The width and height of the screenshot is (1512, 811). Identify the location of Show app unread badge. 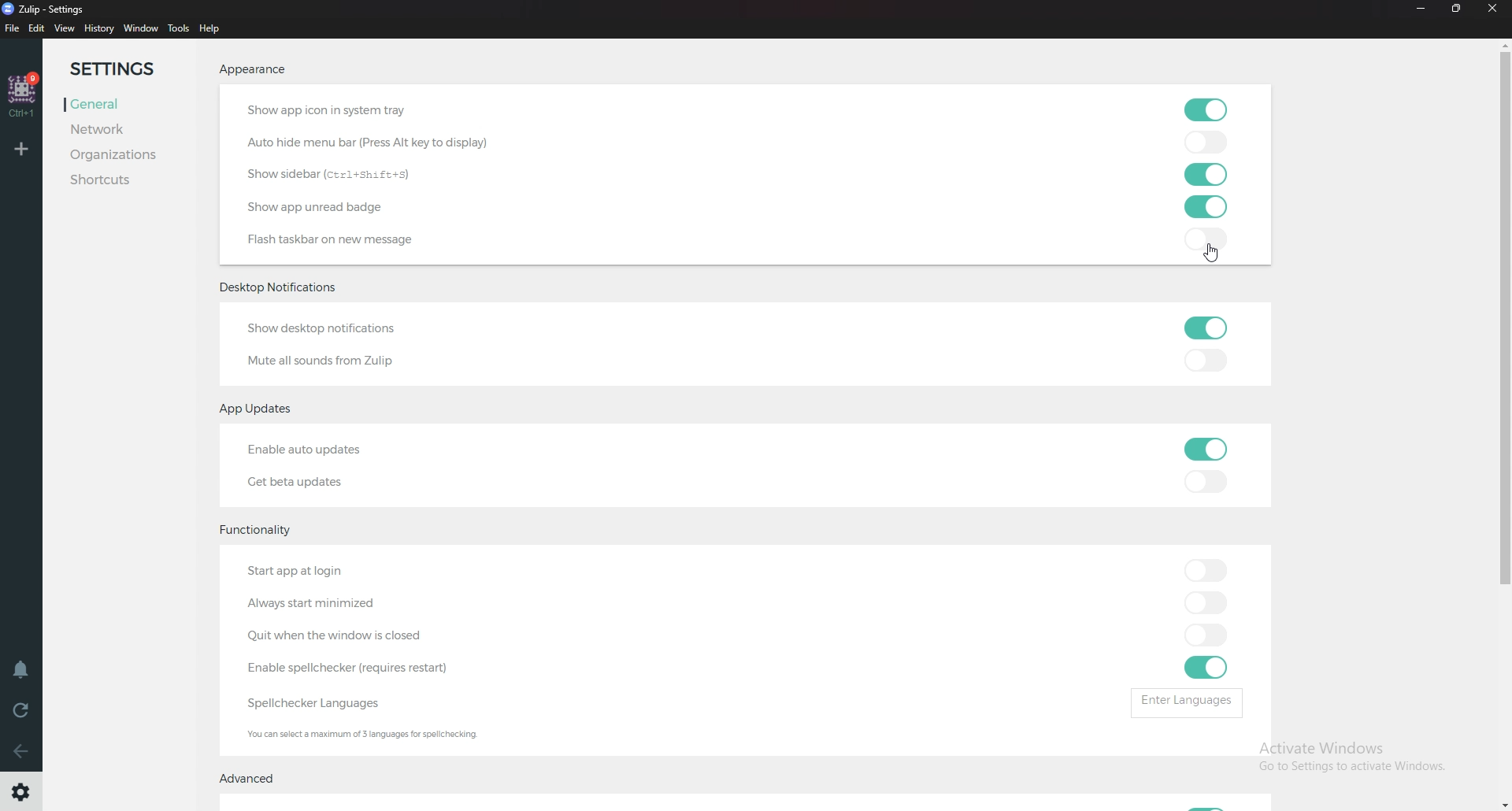
(323, 206).